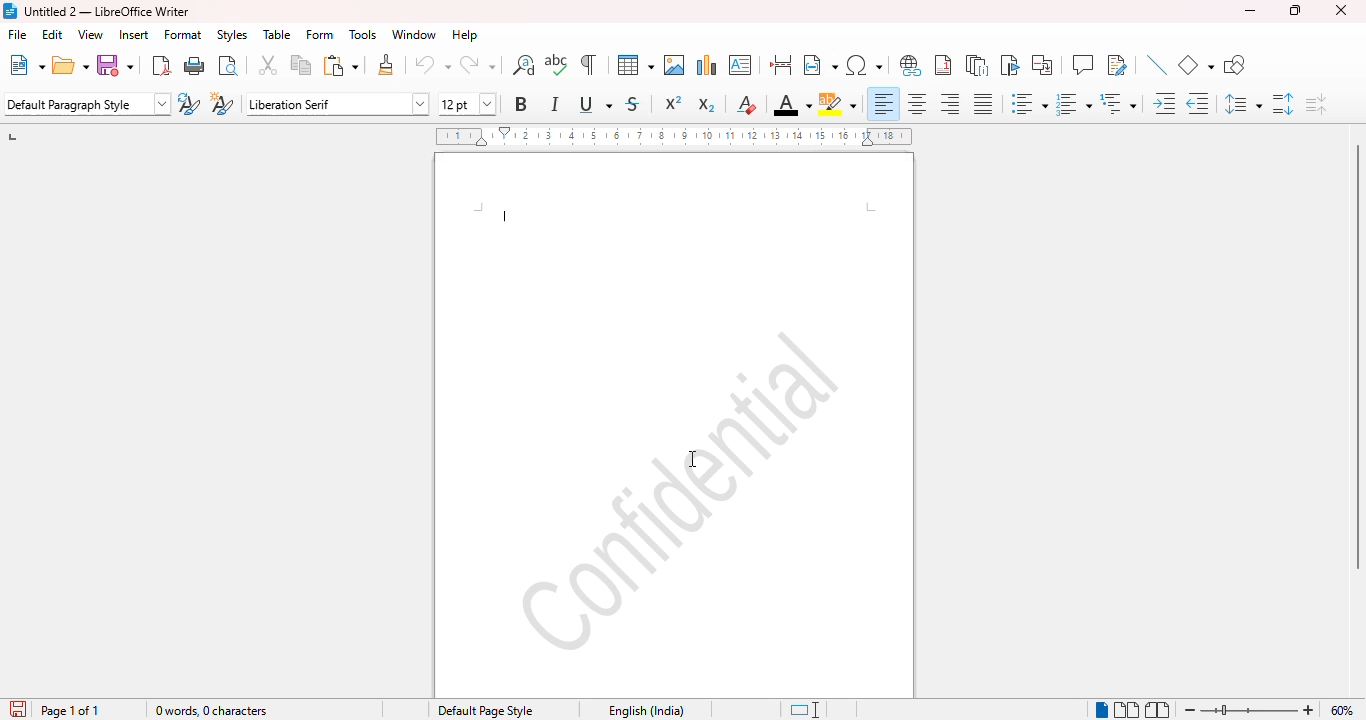  What do you see at coordinates (363, 35) in the screenshot?
I see `tools` at bounding box center [363, 35].